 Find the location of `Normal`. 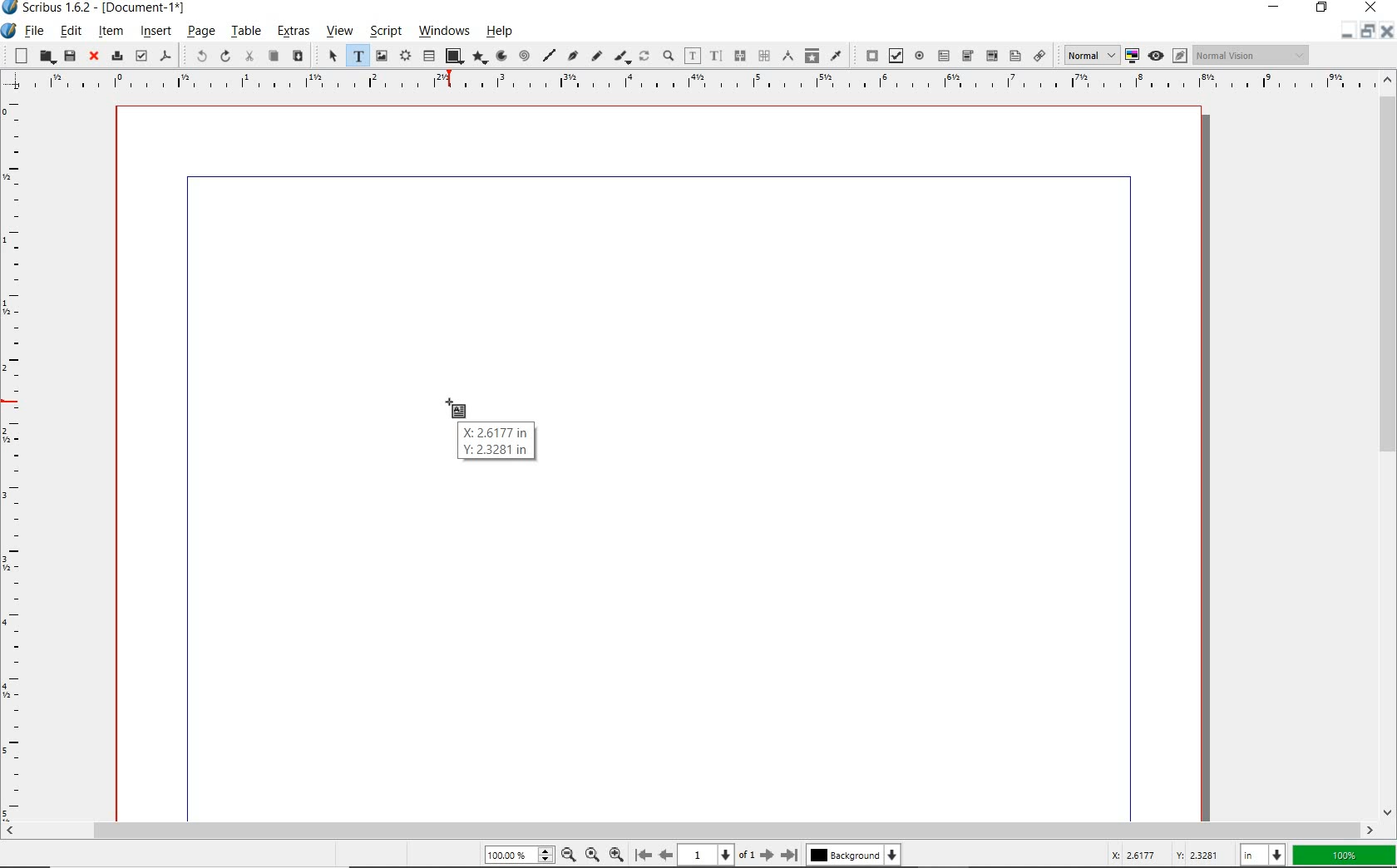

Normal is located at coordinates (1090, 55).